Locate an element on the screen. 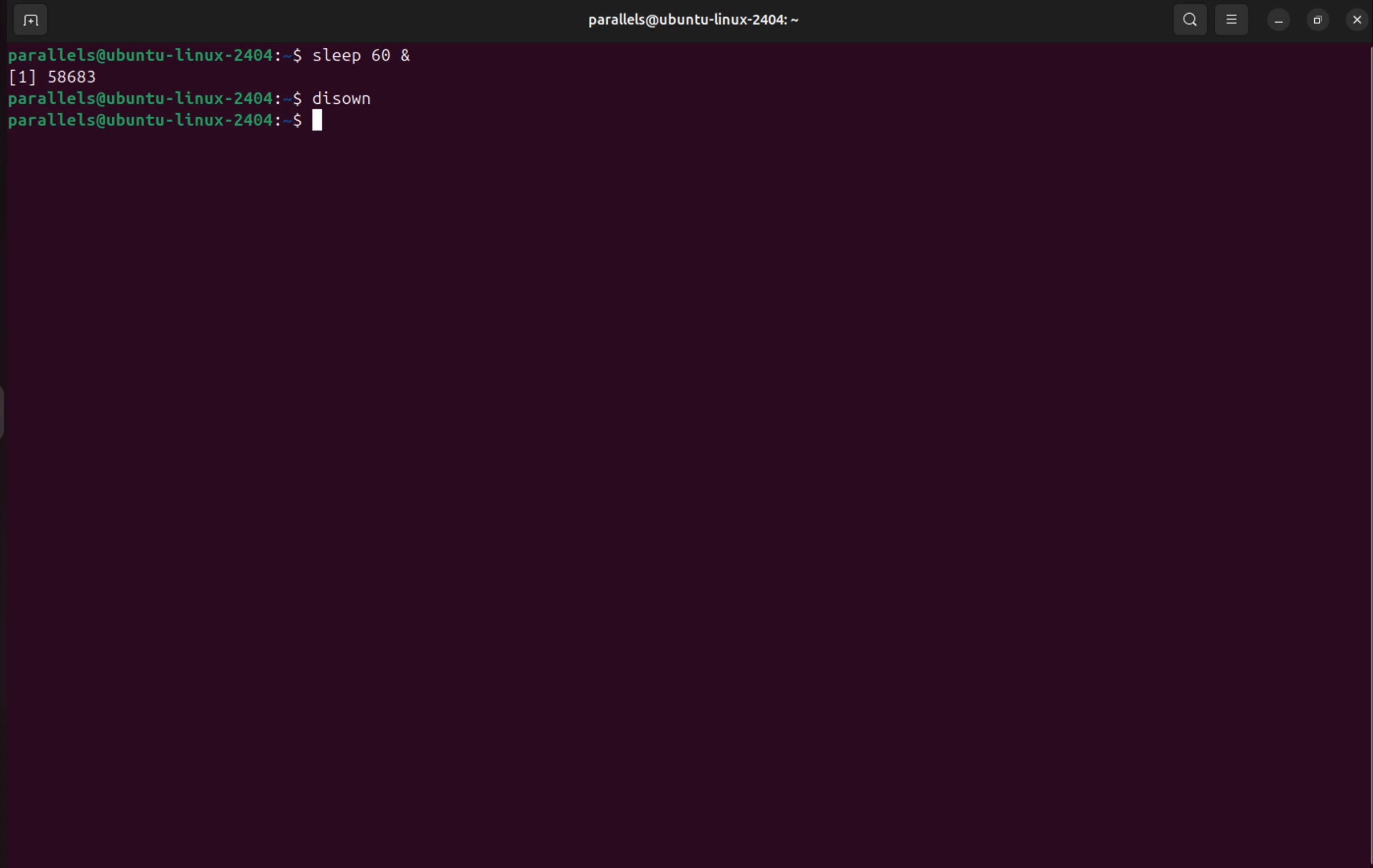 The image size is (1373, 868). disown is located at coordinates (351, 100).